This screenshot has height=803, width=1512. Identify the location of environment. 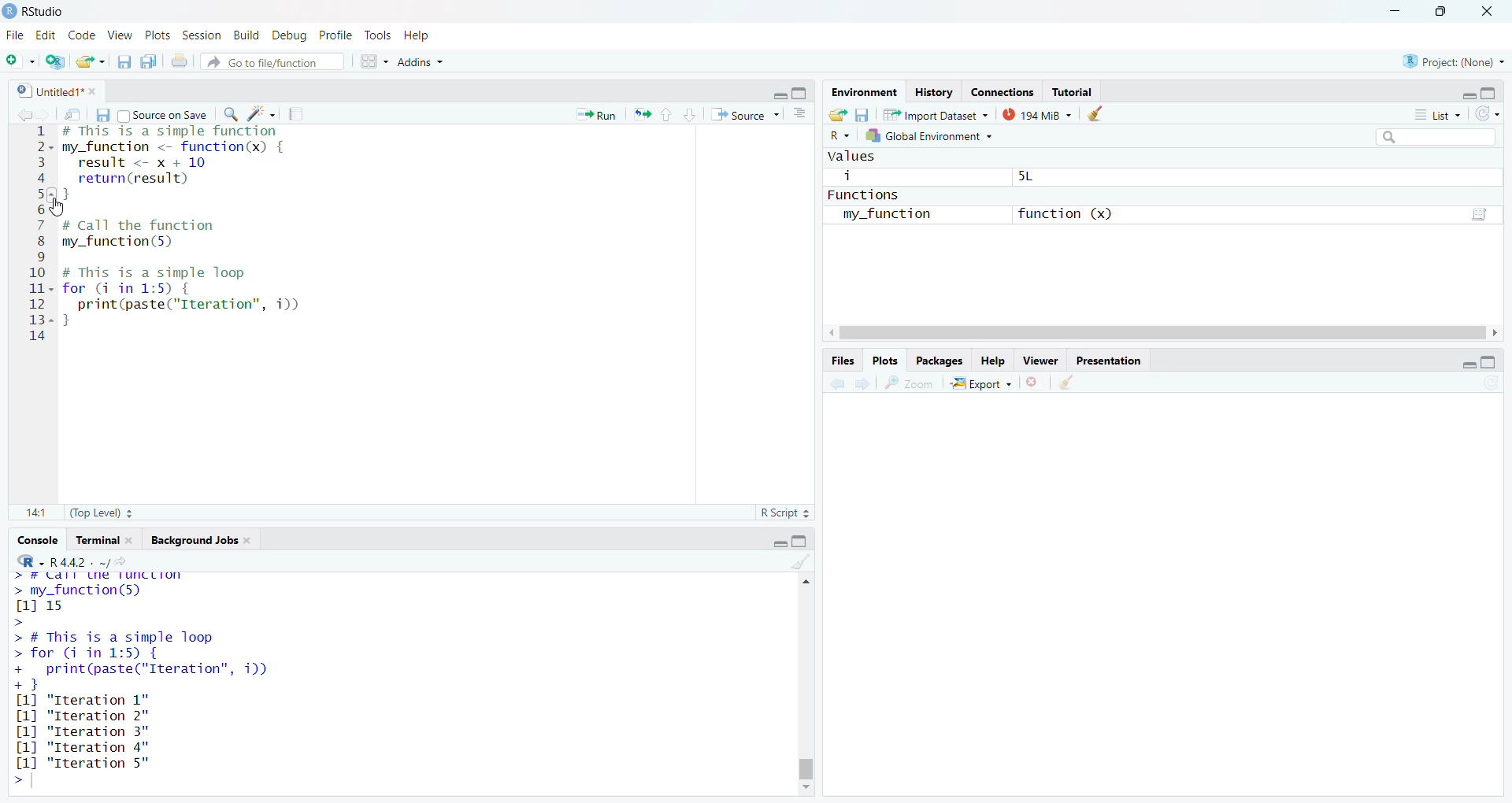
(866, 92).